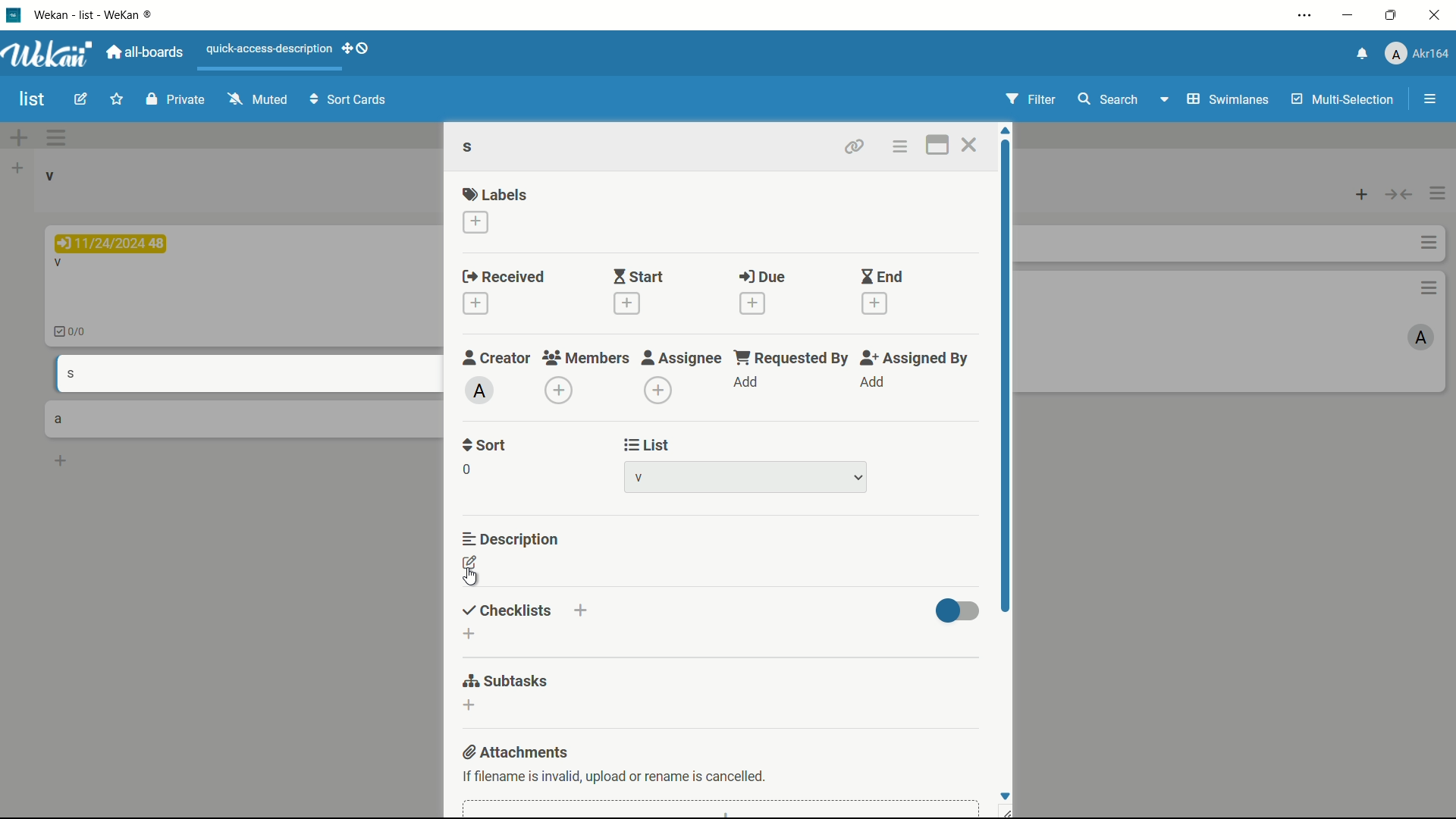  Describe the element at coordinates (1229, 100) in the screenshot. I see `swimlanes` at that location.